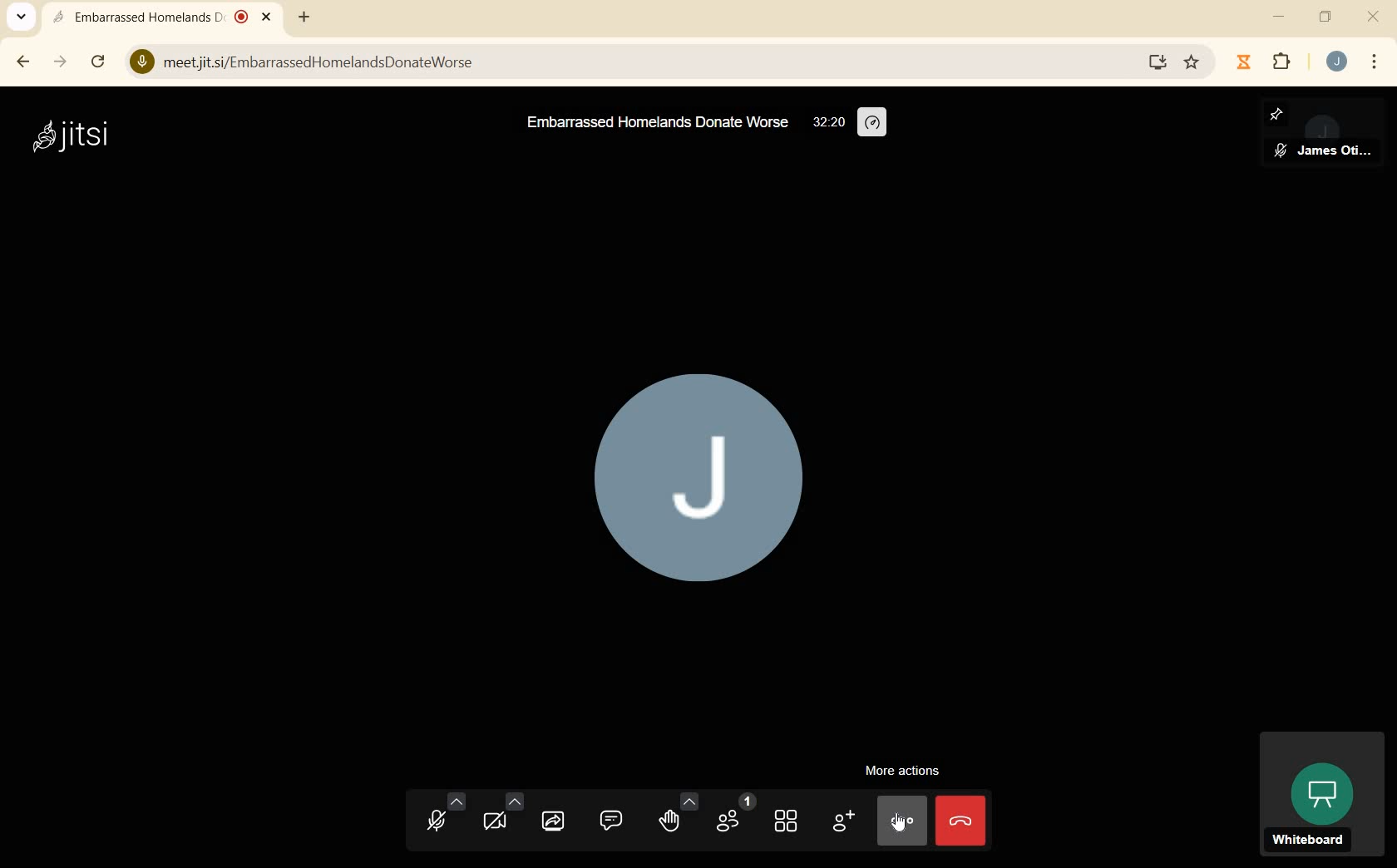 This screenshot has height=868, width=1397. I want to click on participants, so click(736, 818).